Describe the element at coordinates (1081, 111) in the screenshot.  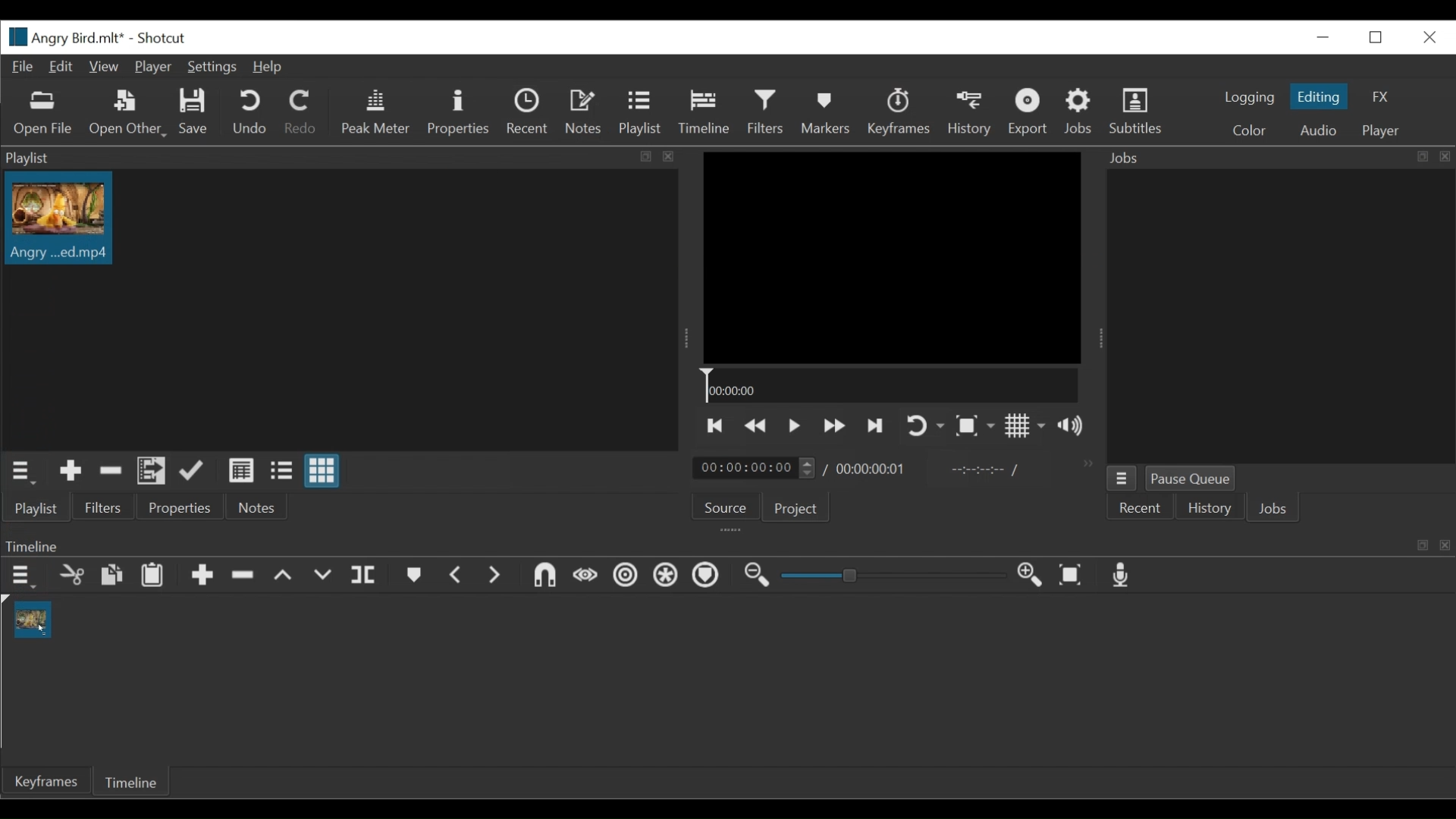
I see `Jobs` at that location.